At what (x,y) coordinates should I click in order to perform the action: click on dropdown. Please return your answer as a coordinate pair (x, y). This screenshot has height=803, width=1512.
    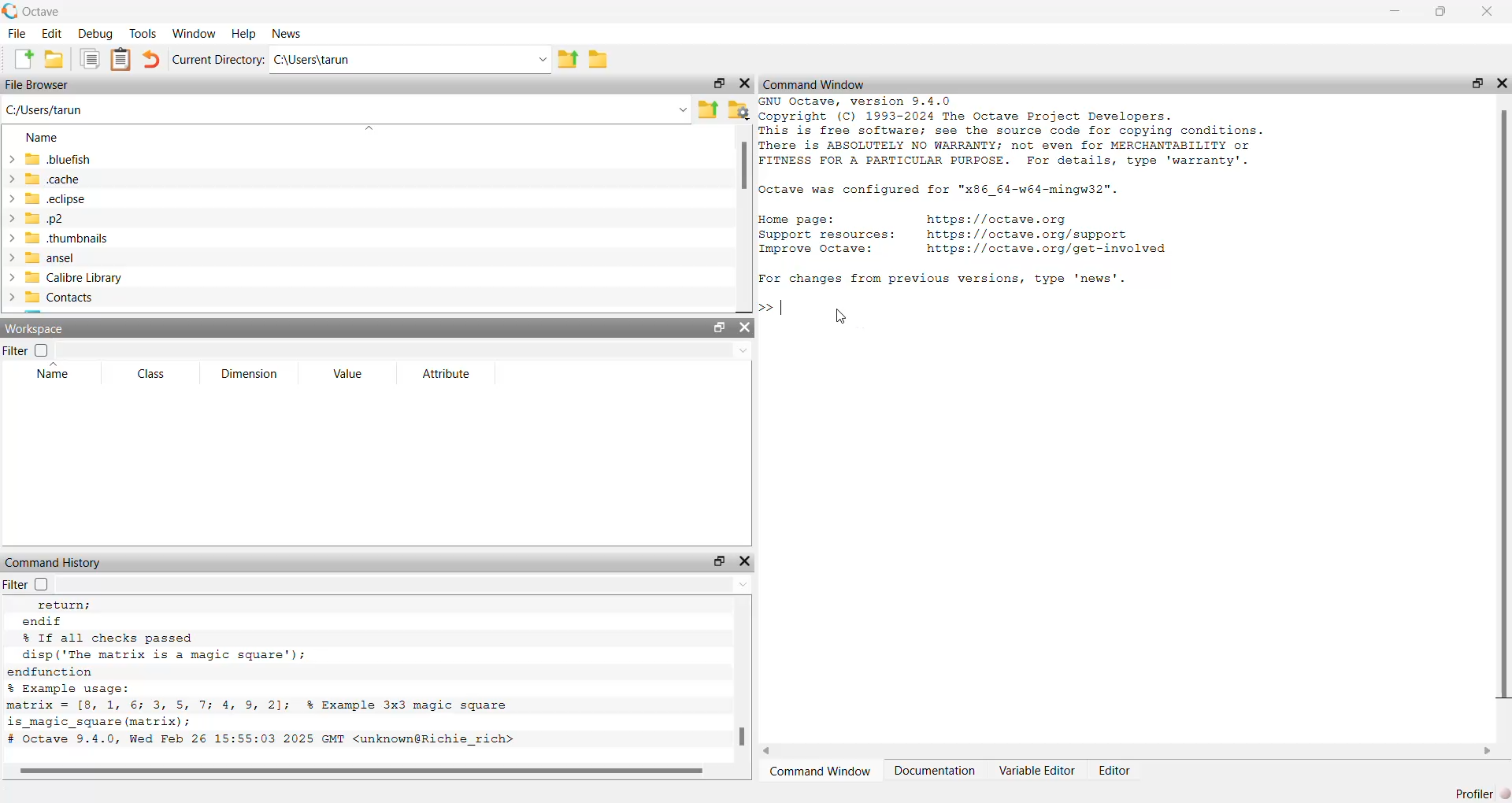
    Looking at the image, I should click on (680, 109).